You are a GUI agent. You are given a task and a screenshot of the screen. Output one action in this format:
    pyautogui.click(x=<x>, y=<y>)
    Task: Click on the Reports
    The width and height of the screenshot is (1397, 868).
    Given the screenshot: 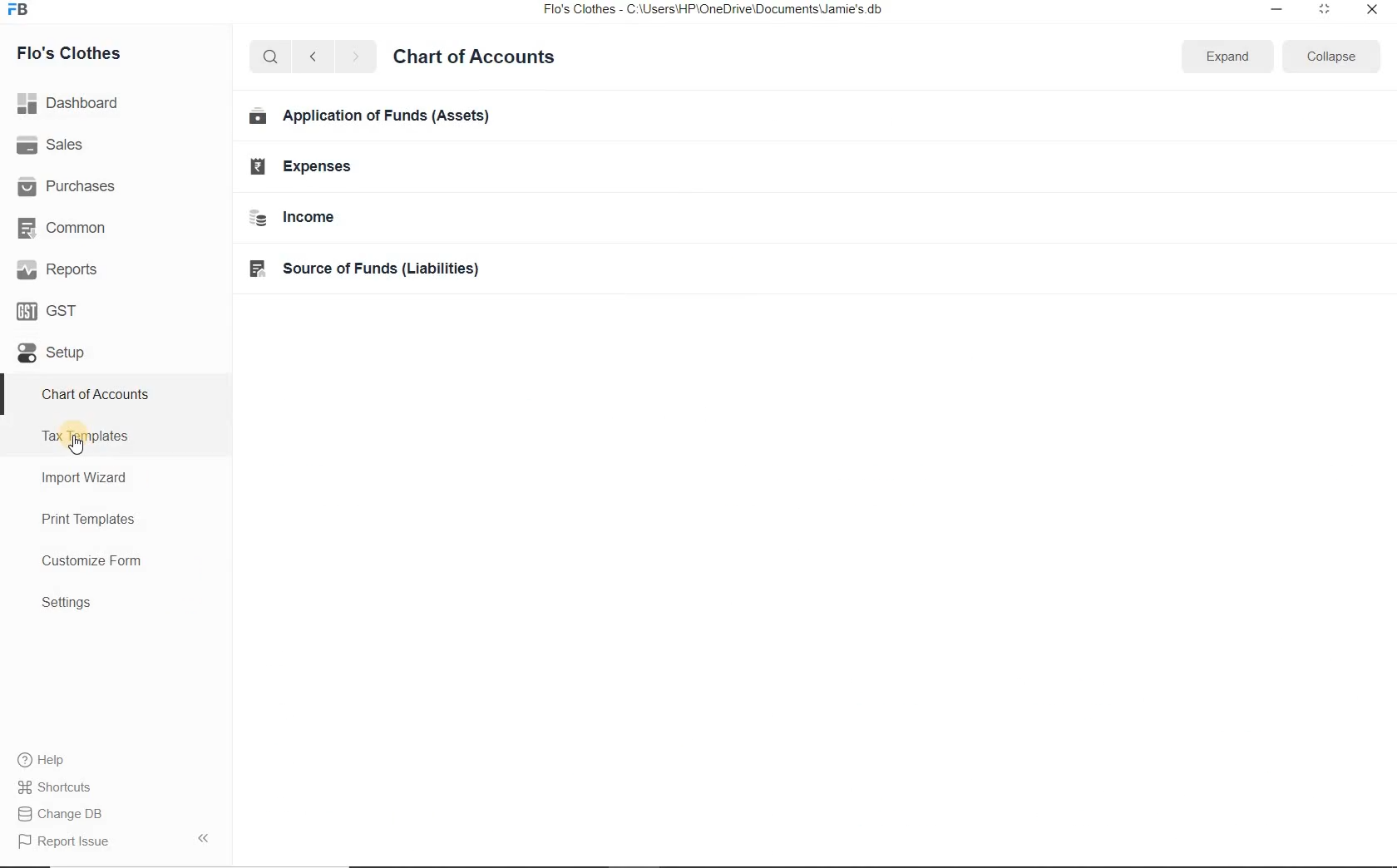 What is the action you would take?
    pyautogui.click(x=116, y=268)
    